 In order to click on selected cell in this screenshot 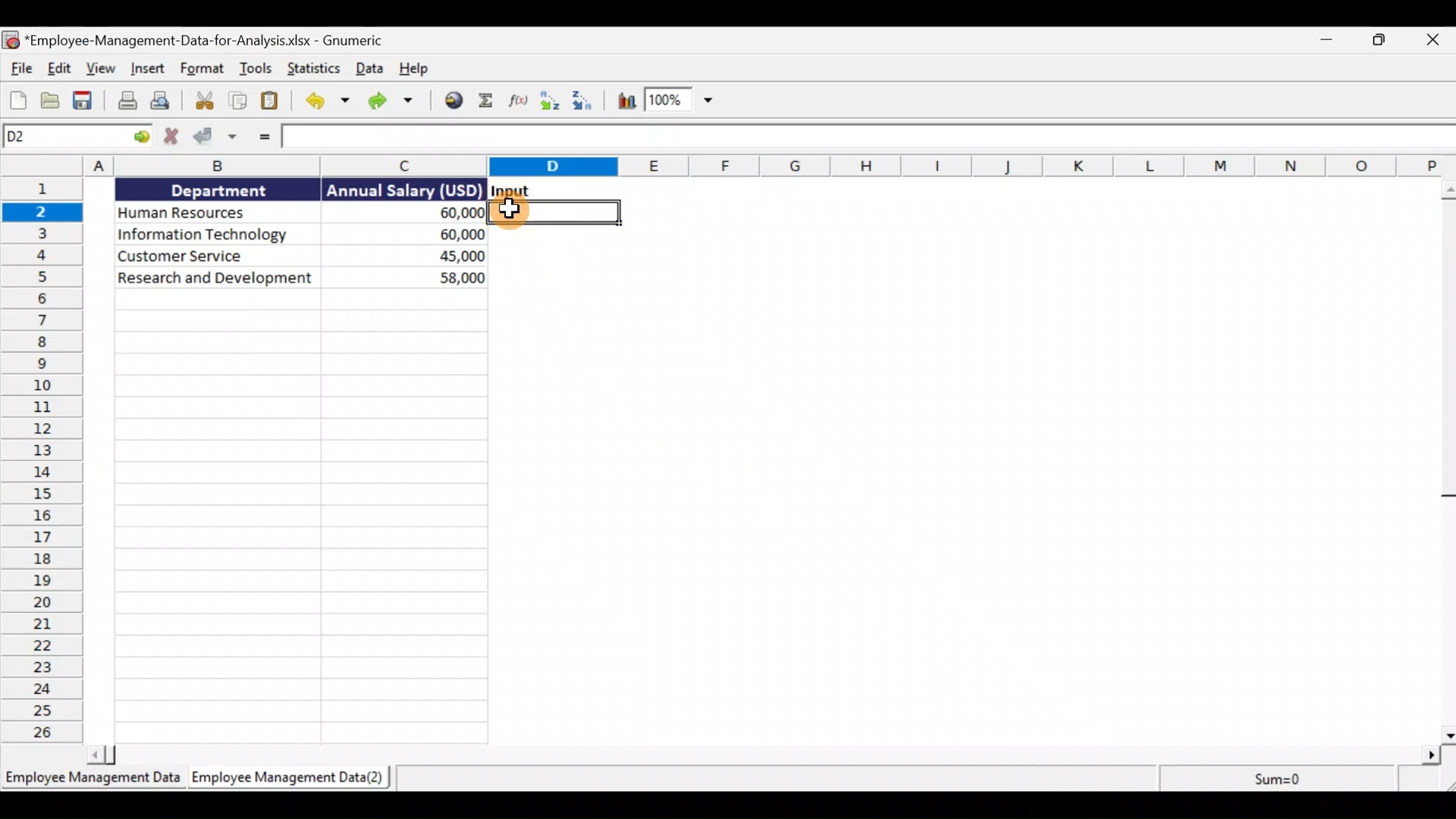, I will do `click(560, 213)`.